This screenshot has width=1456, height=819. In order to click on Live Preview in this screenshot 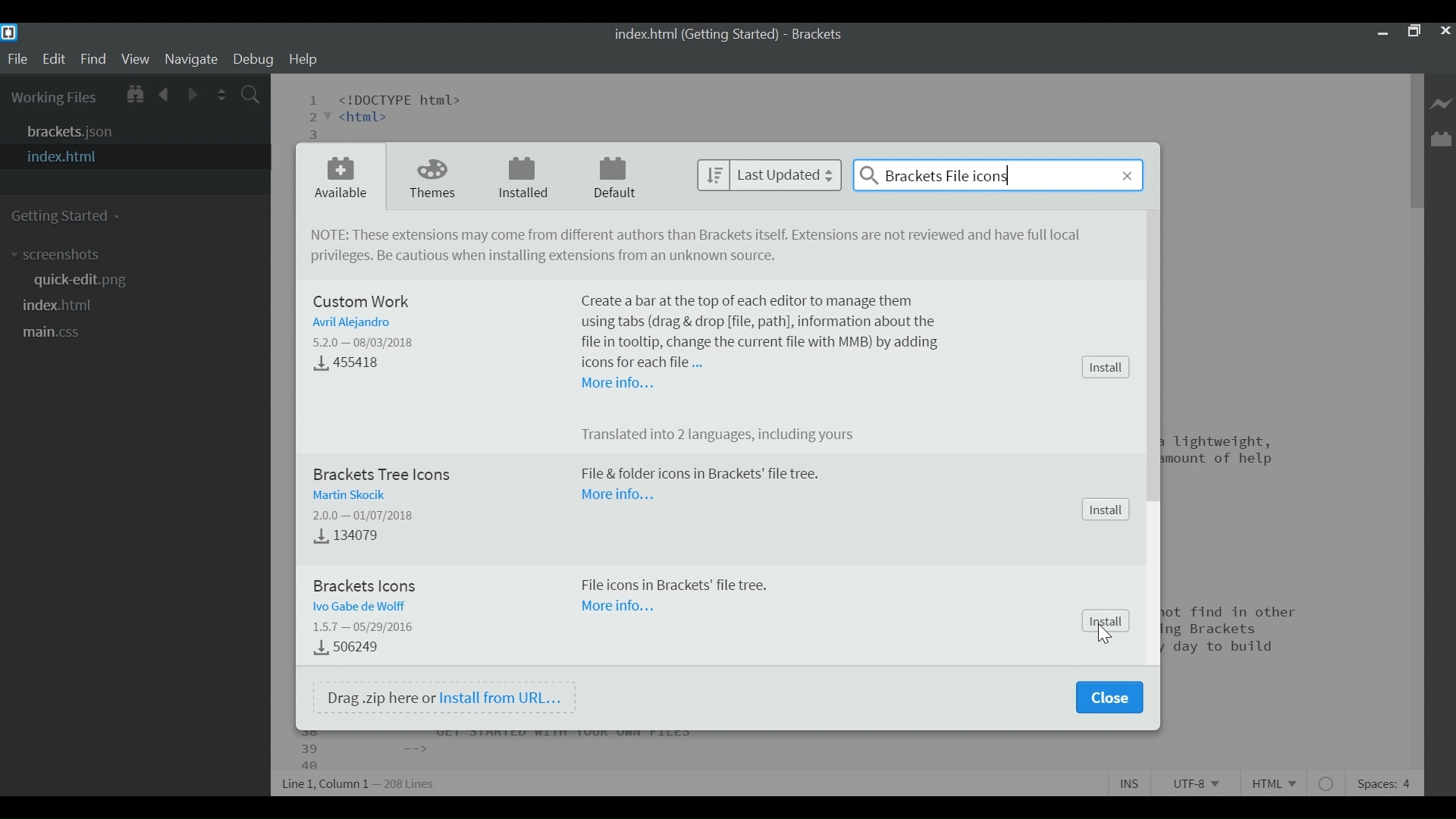, I will do `click(1440, 101)`.